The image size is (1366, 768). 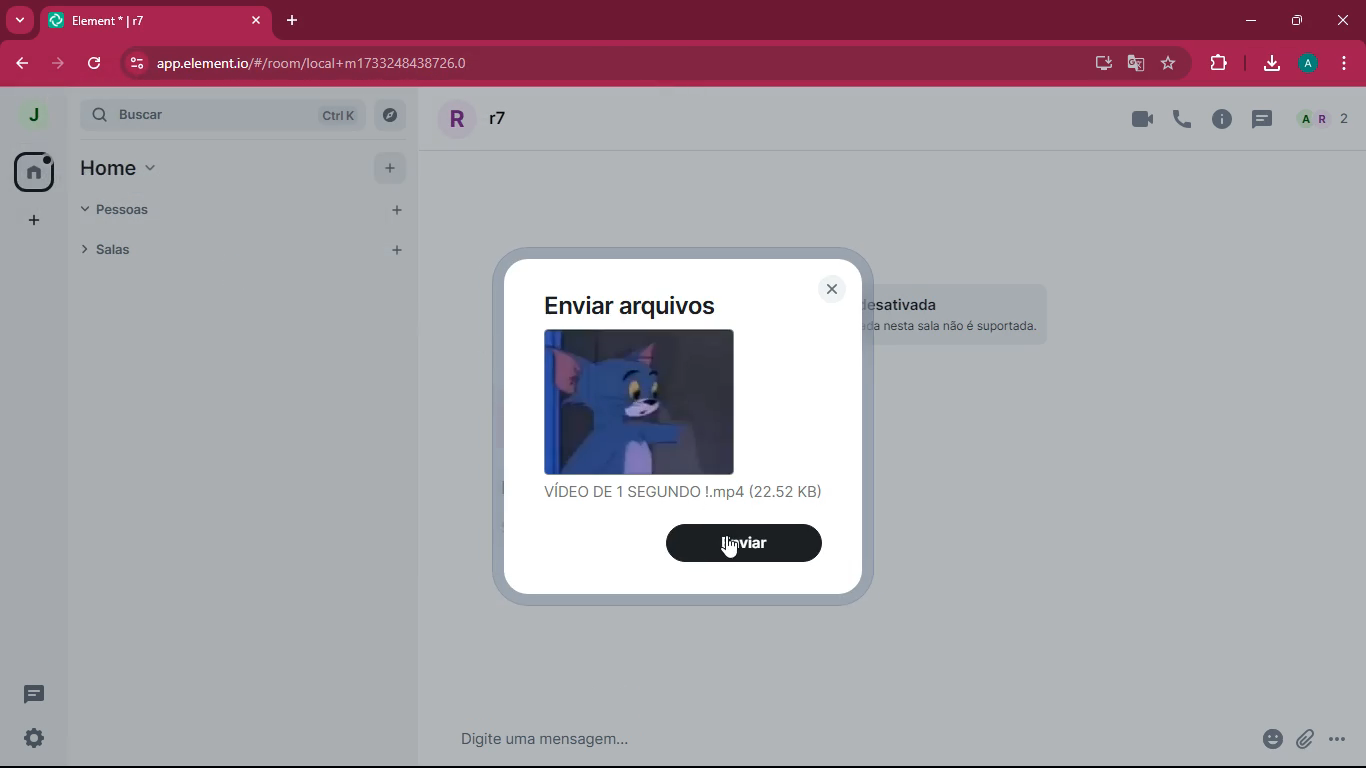 I want to click on desktop, so click(x=1098, y=64).